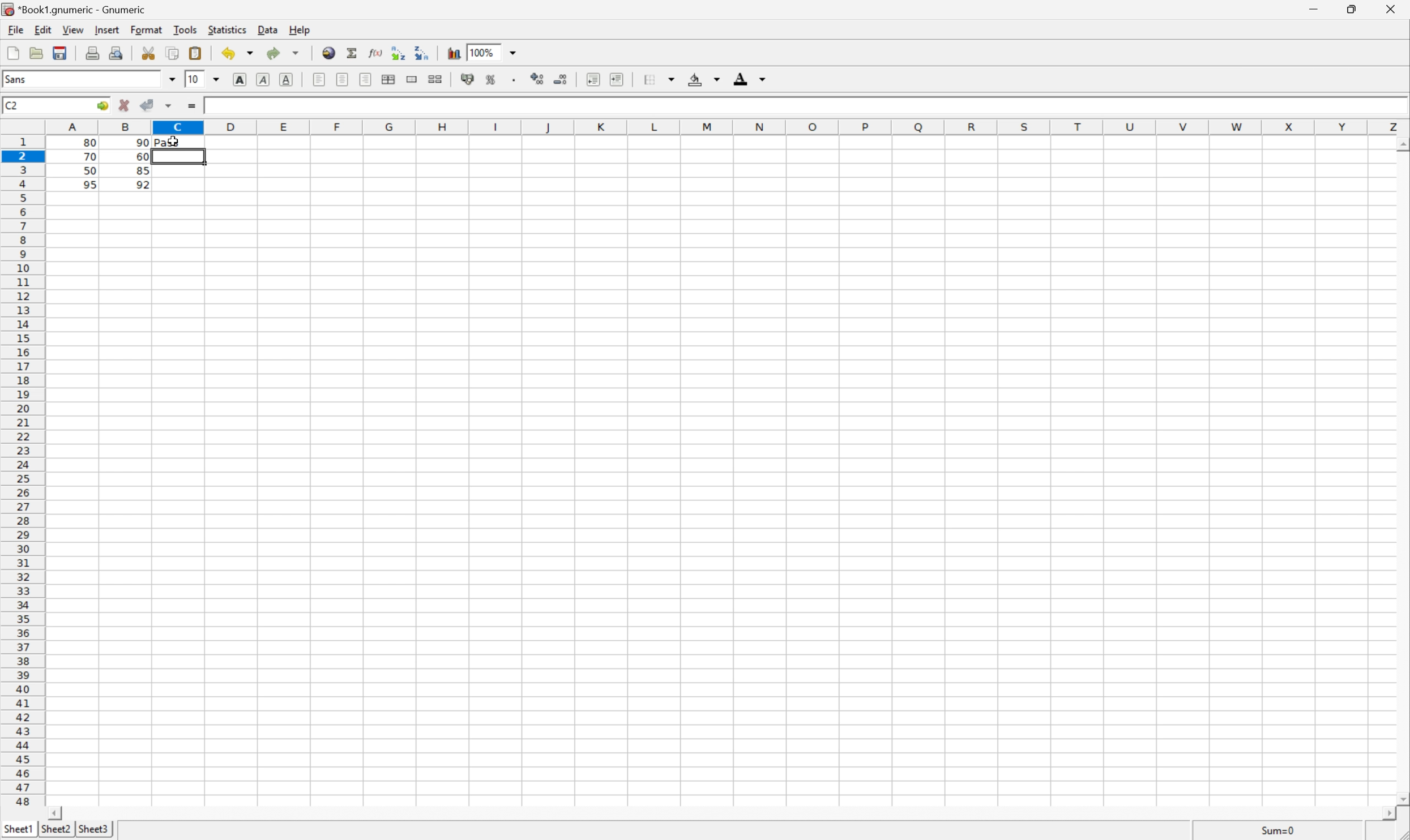  What do you see at coordinates (659, 76) in the screenshot?
I see `Borders` at bounding box center [659, 76].